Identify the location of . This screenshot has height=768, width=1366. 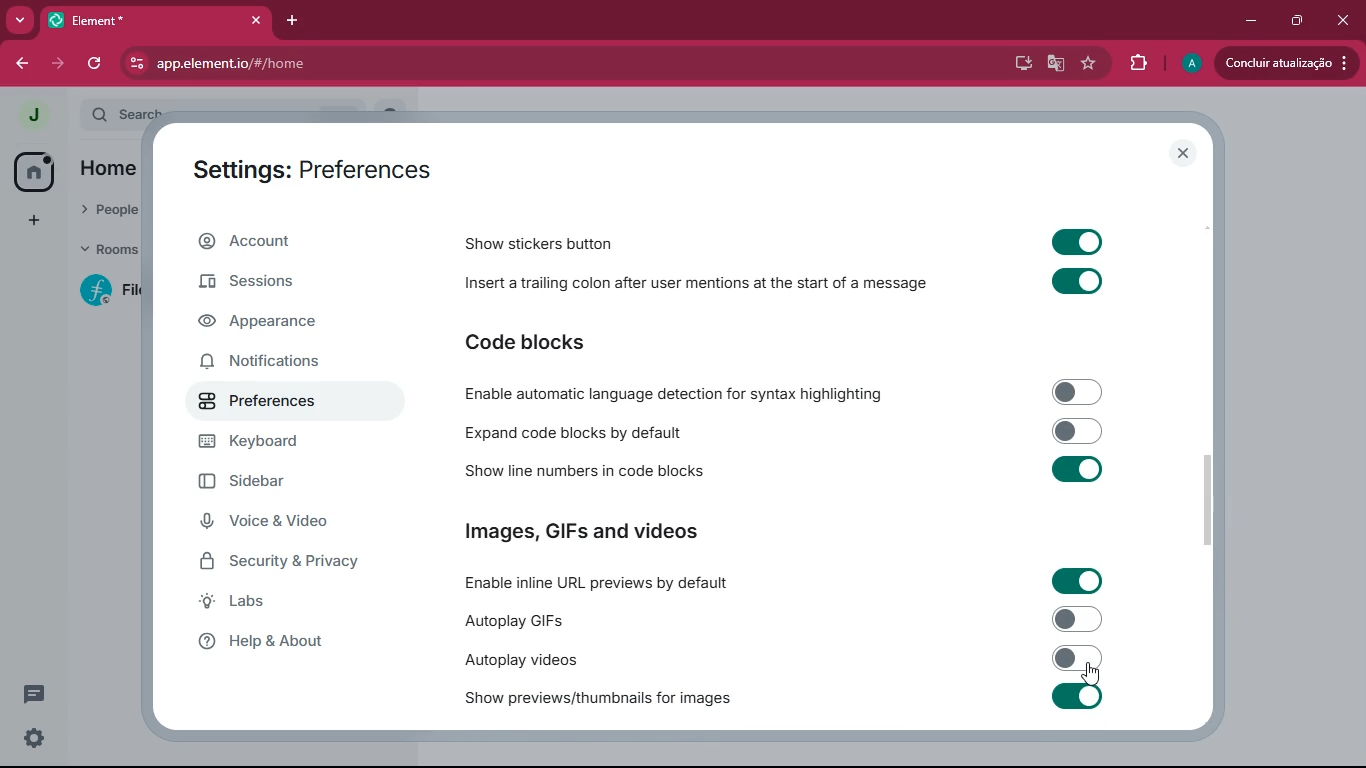
(1079, 470).